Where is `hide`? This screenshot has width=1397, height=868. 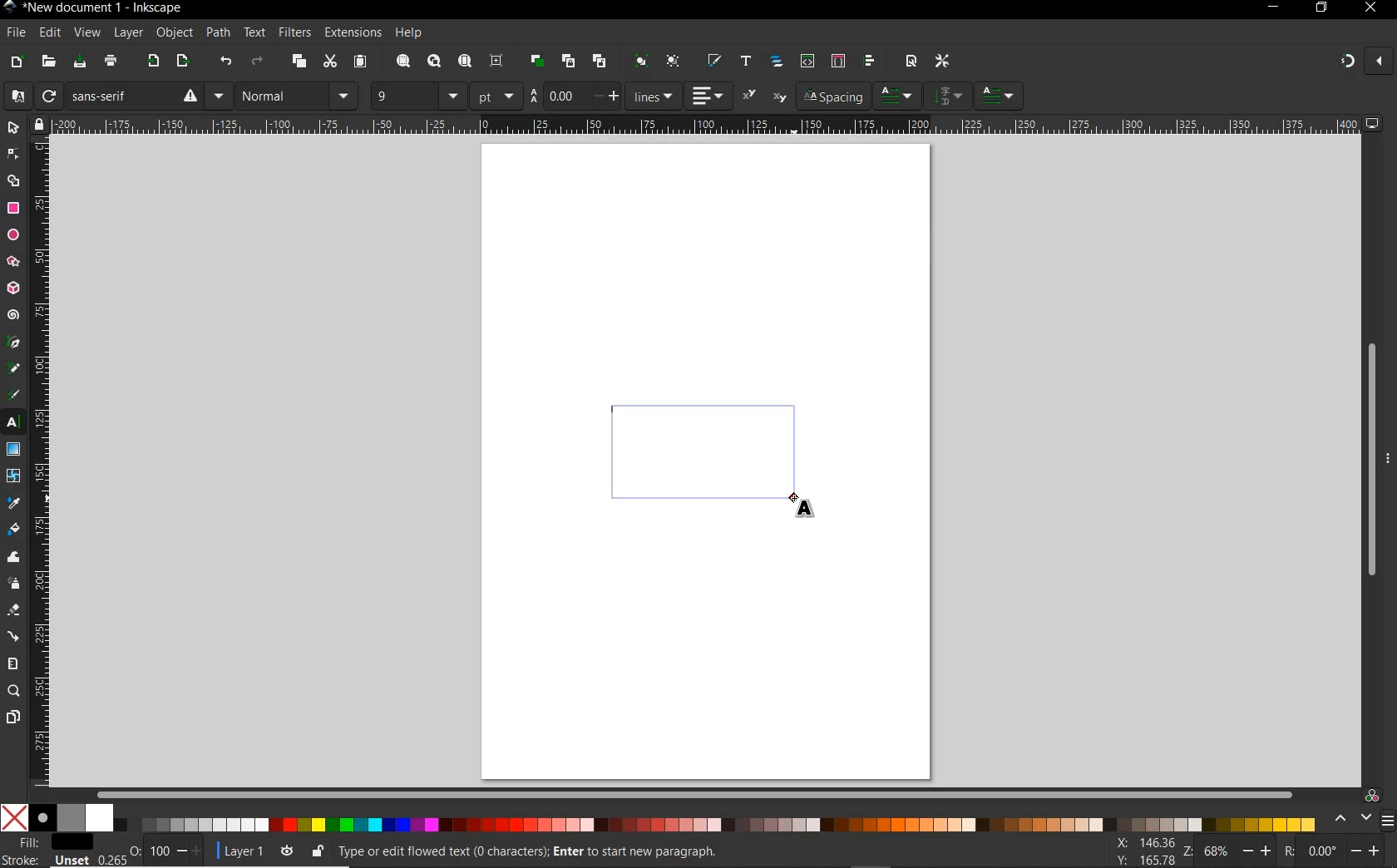 hide is located at coordinates (1389, 456).